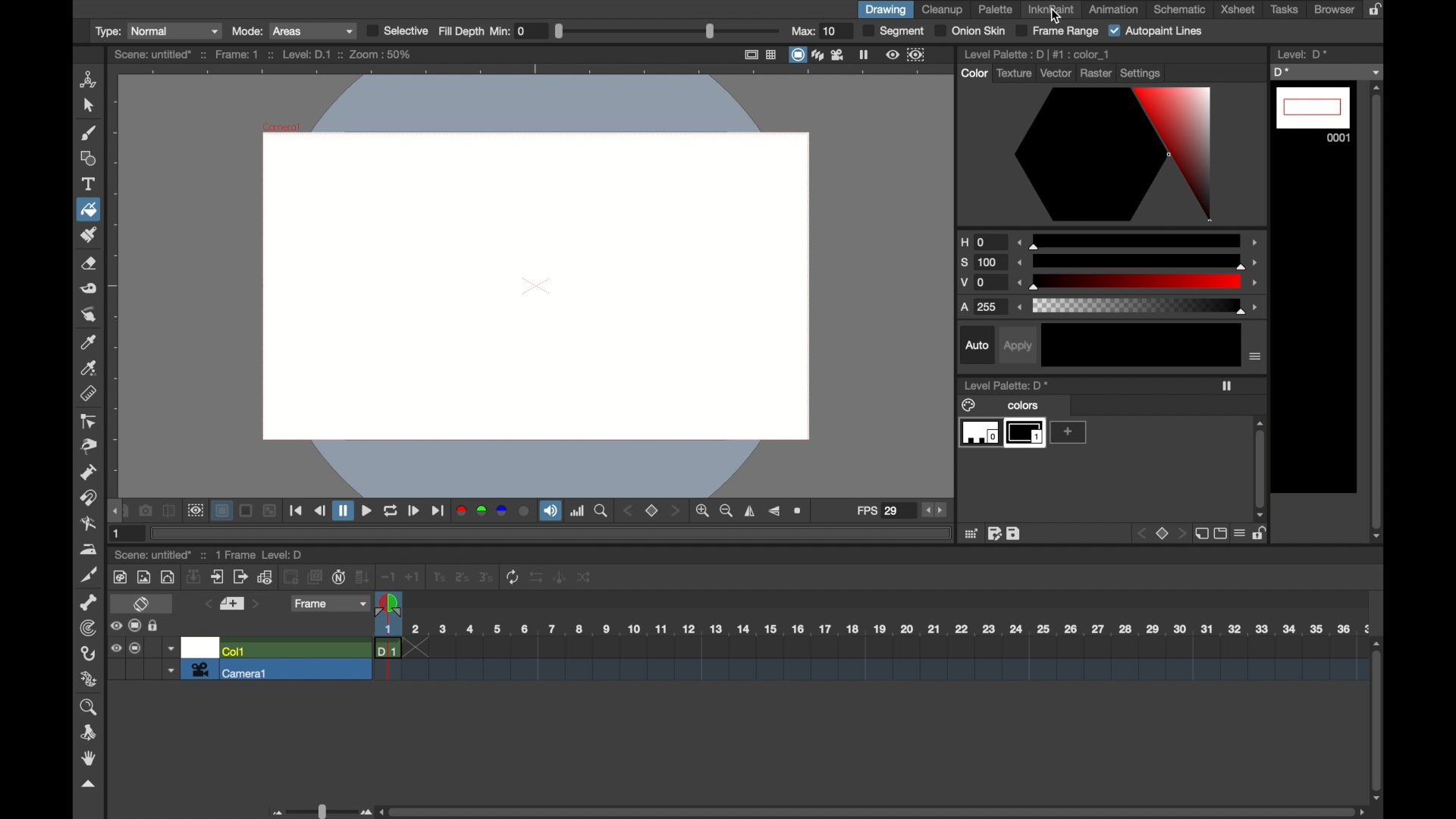  I want to click on refresh, so click(513, 577).